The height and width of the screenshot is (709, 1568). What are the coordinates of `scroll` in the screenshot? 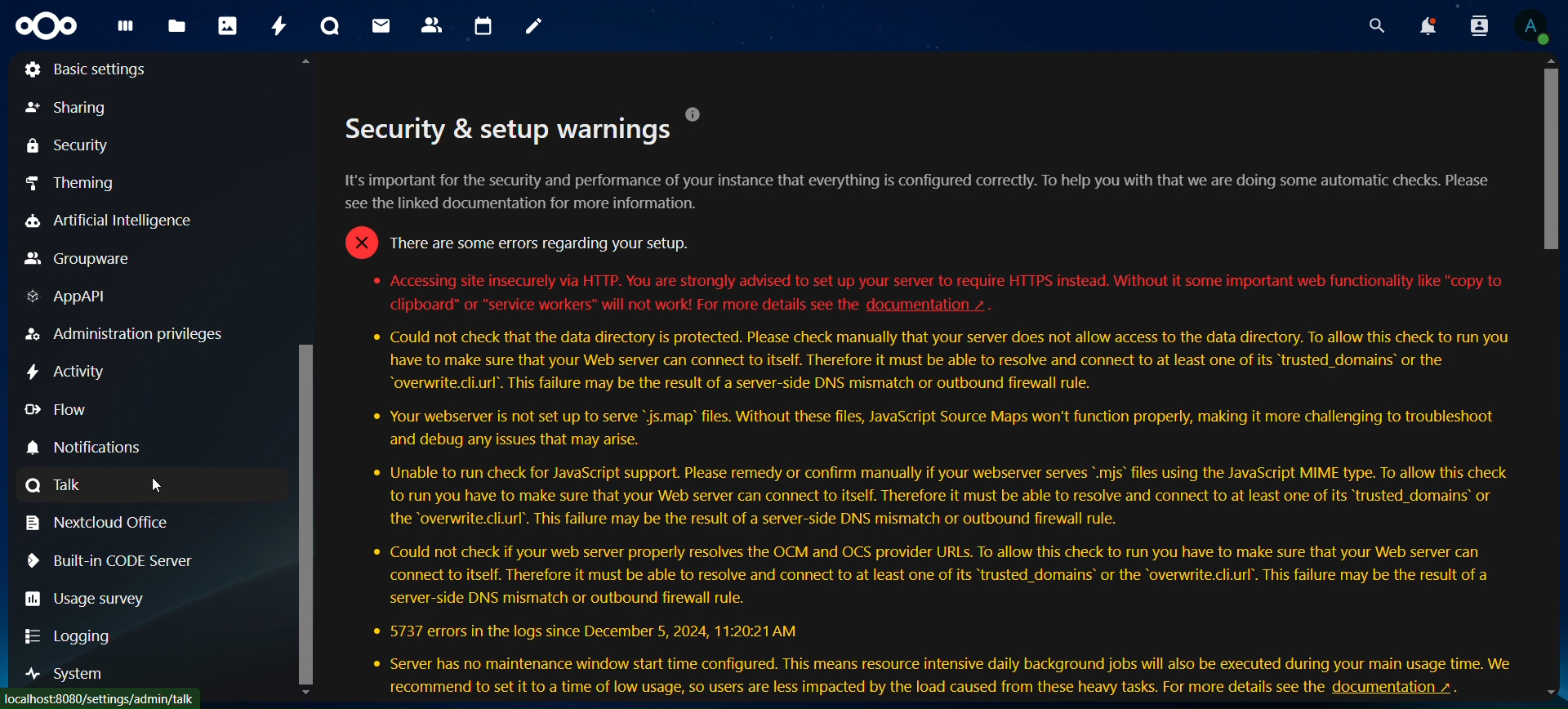 It's located at (307, 376).